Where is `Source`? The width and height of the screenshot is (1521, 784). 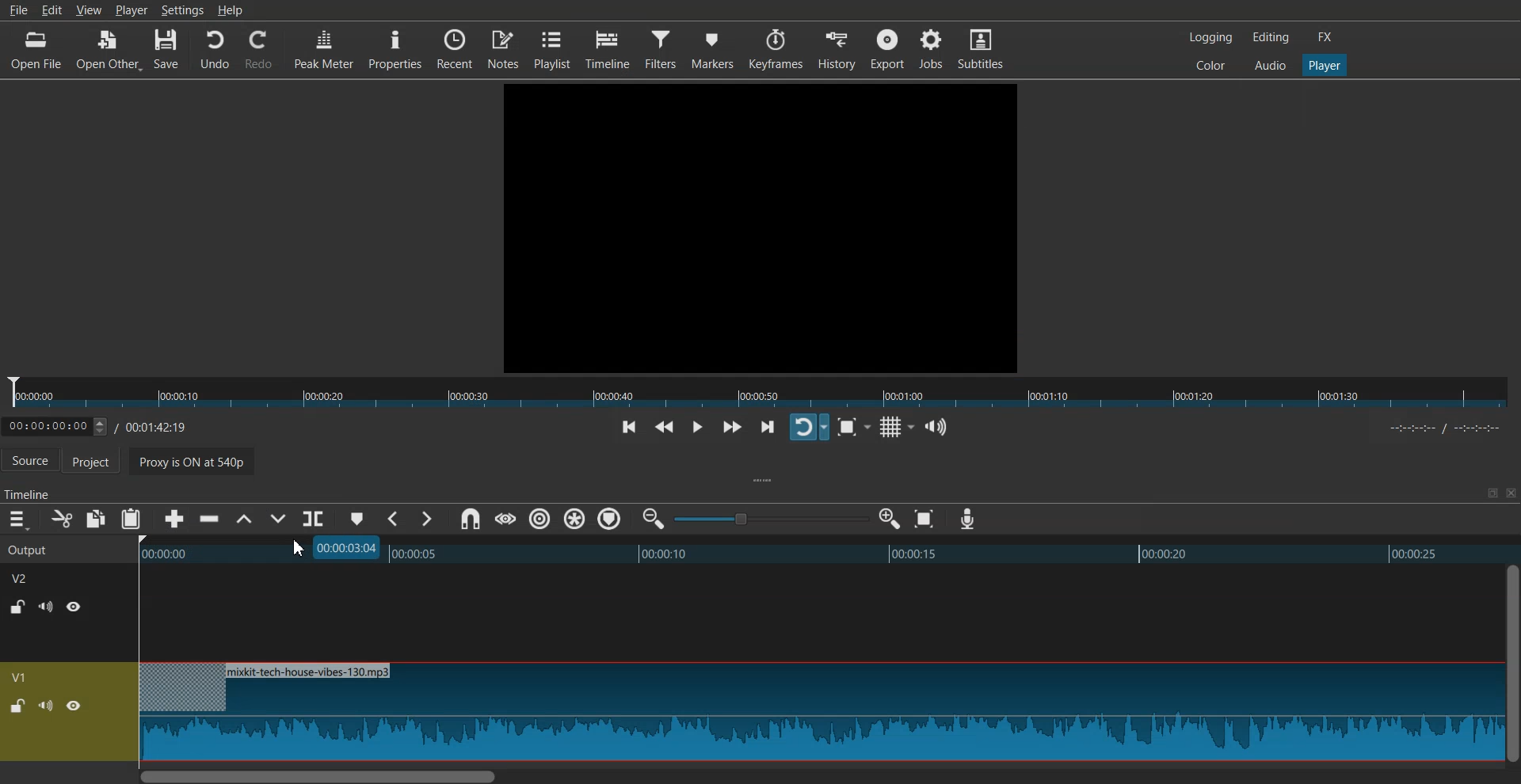 Source is located at coordinates (30, 462).